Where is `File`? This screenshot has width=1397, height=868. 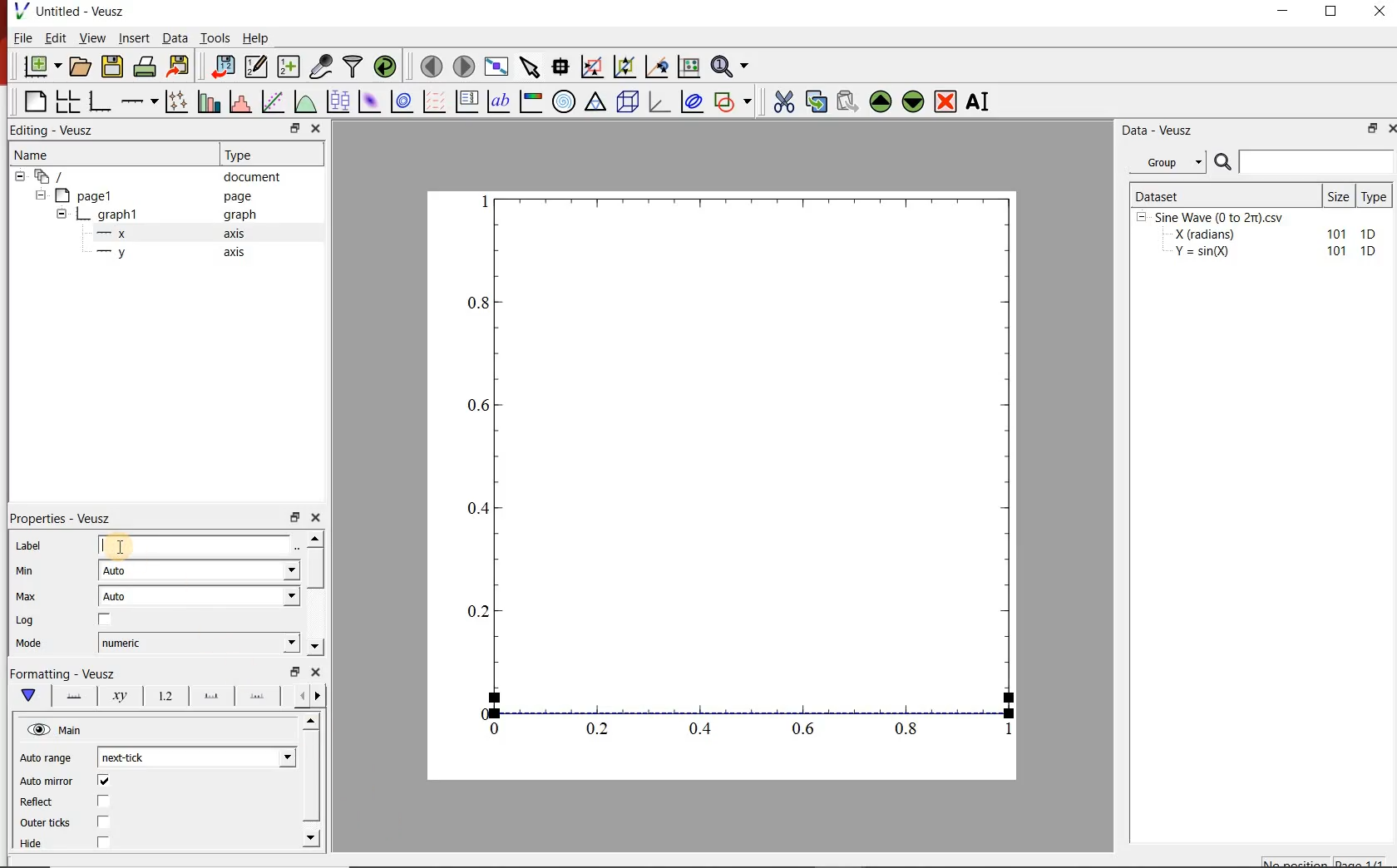 File is located at coordinates (23, 37).